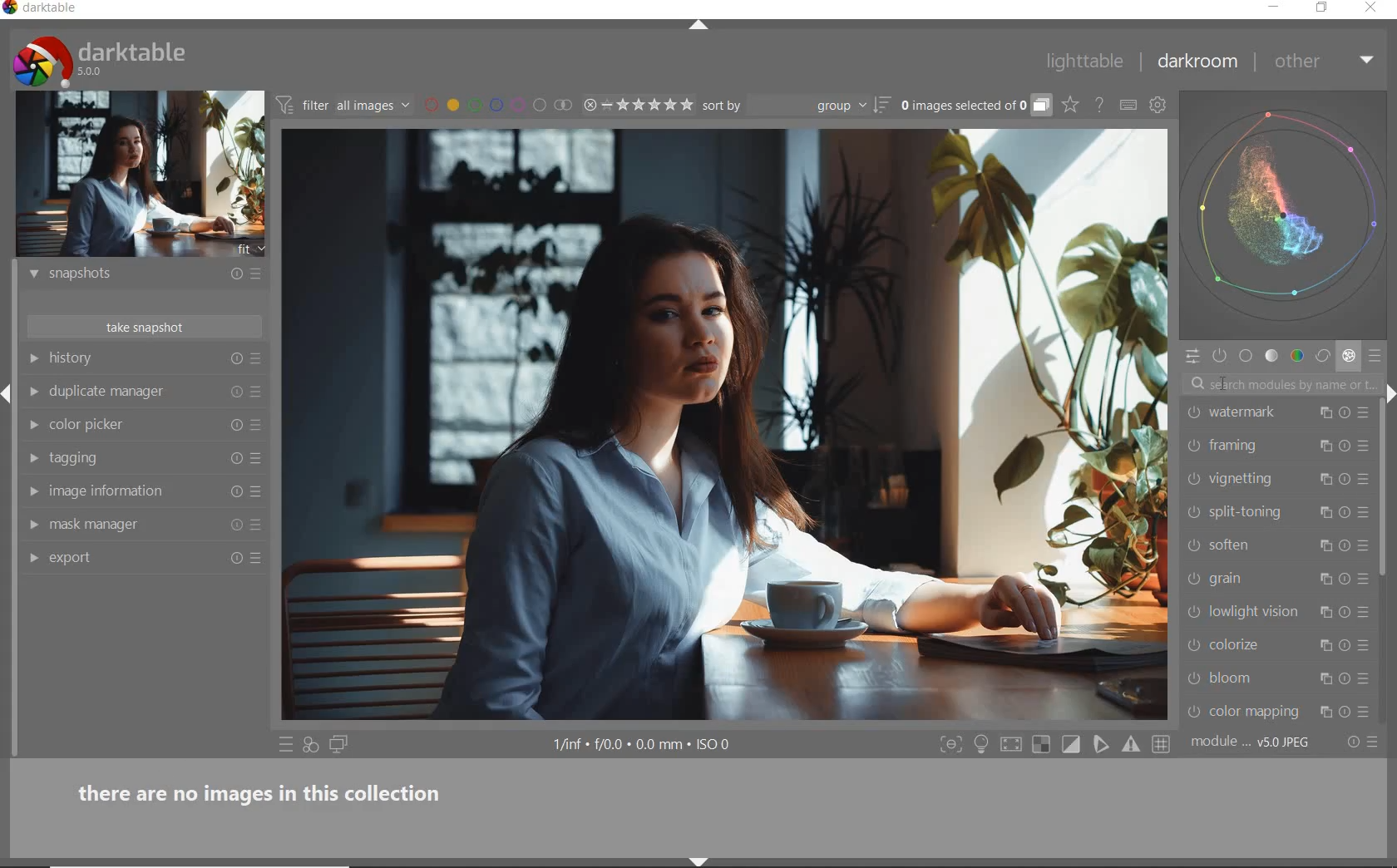  What do you see at coordinates (1324, 413) in the screenshot?
I see `multiple instance actions` at bounding box center [1324, 413].